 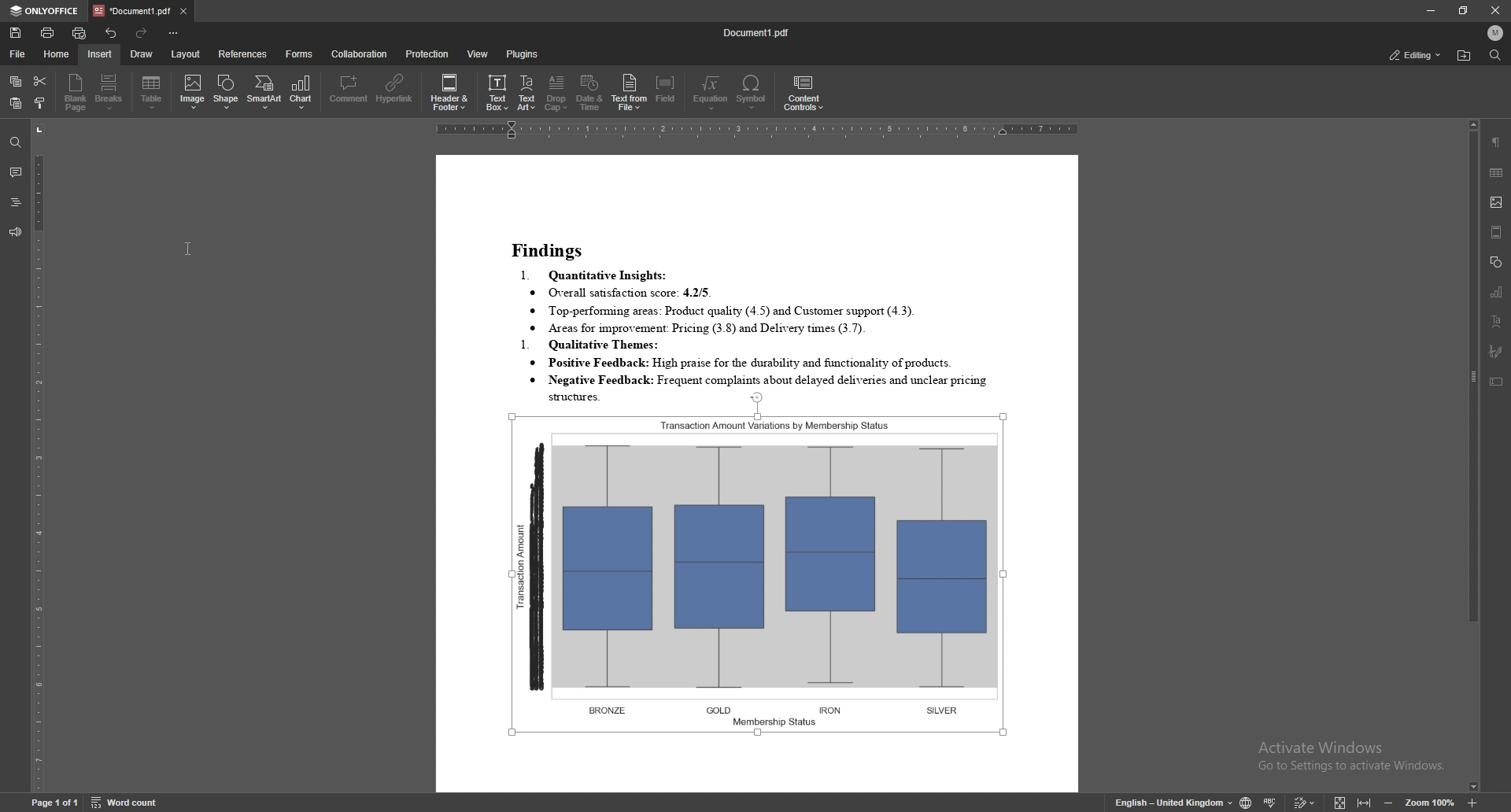 I want to click on insert, so click(x=98, y=54).